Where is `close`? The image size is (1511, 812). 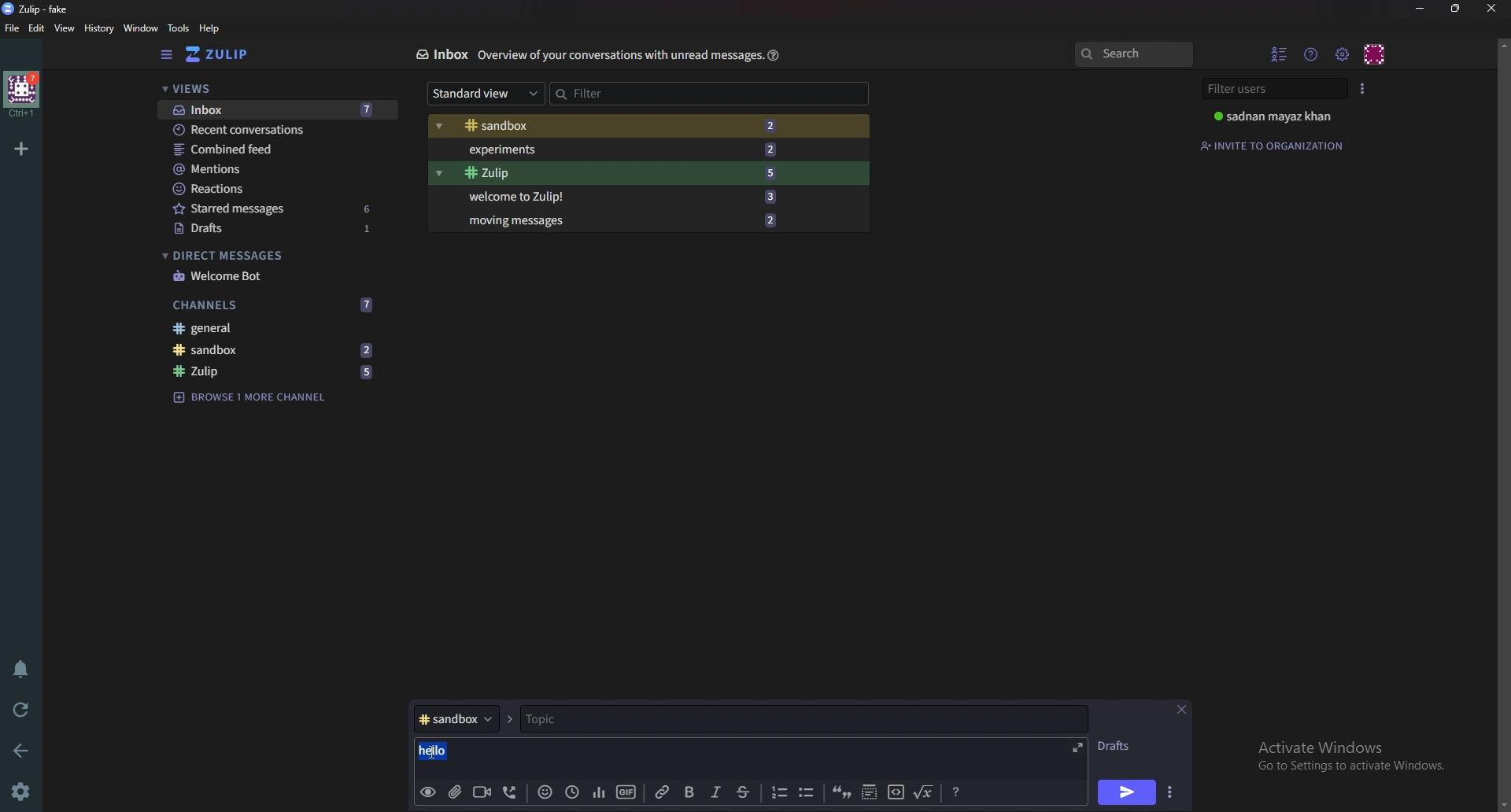 close is located at coordinates (1181, 708).